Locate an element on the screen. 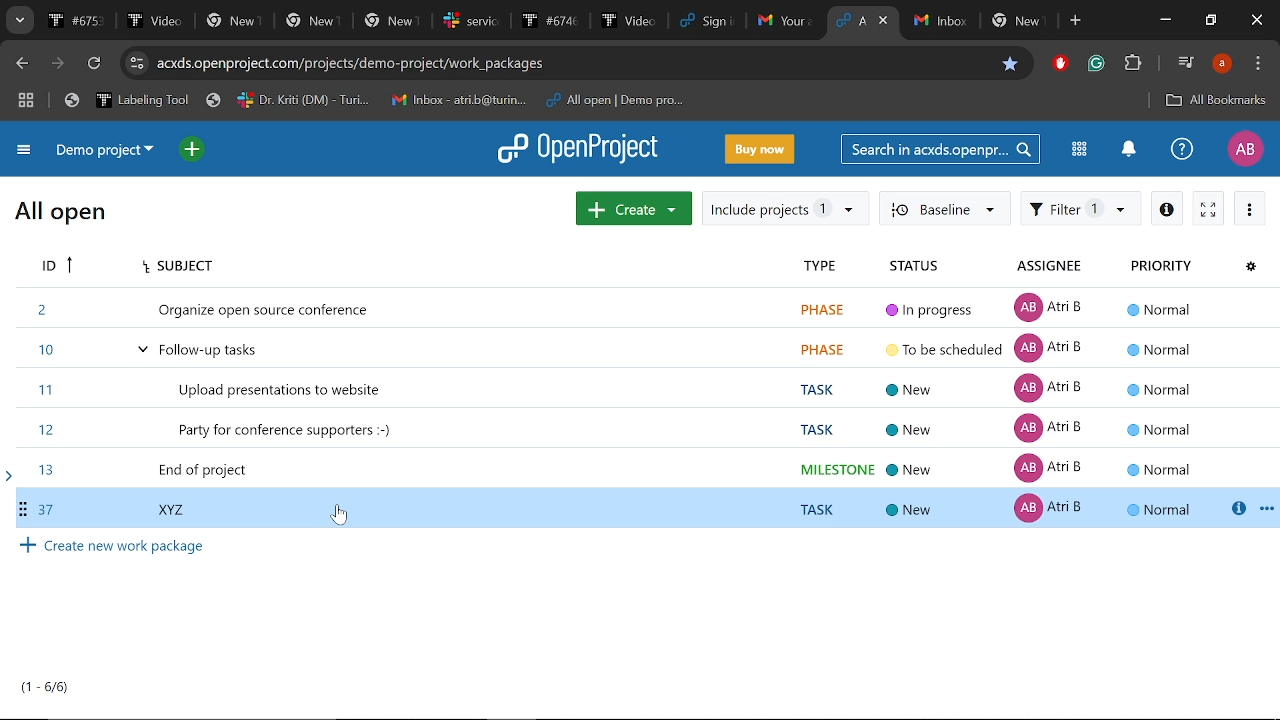 Image resolution: width=1280 pixels, height=720 pixels. Profile is located at coordinates (1245, 149).